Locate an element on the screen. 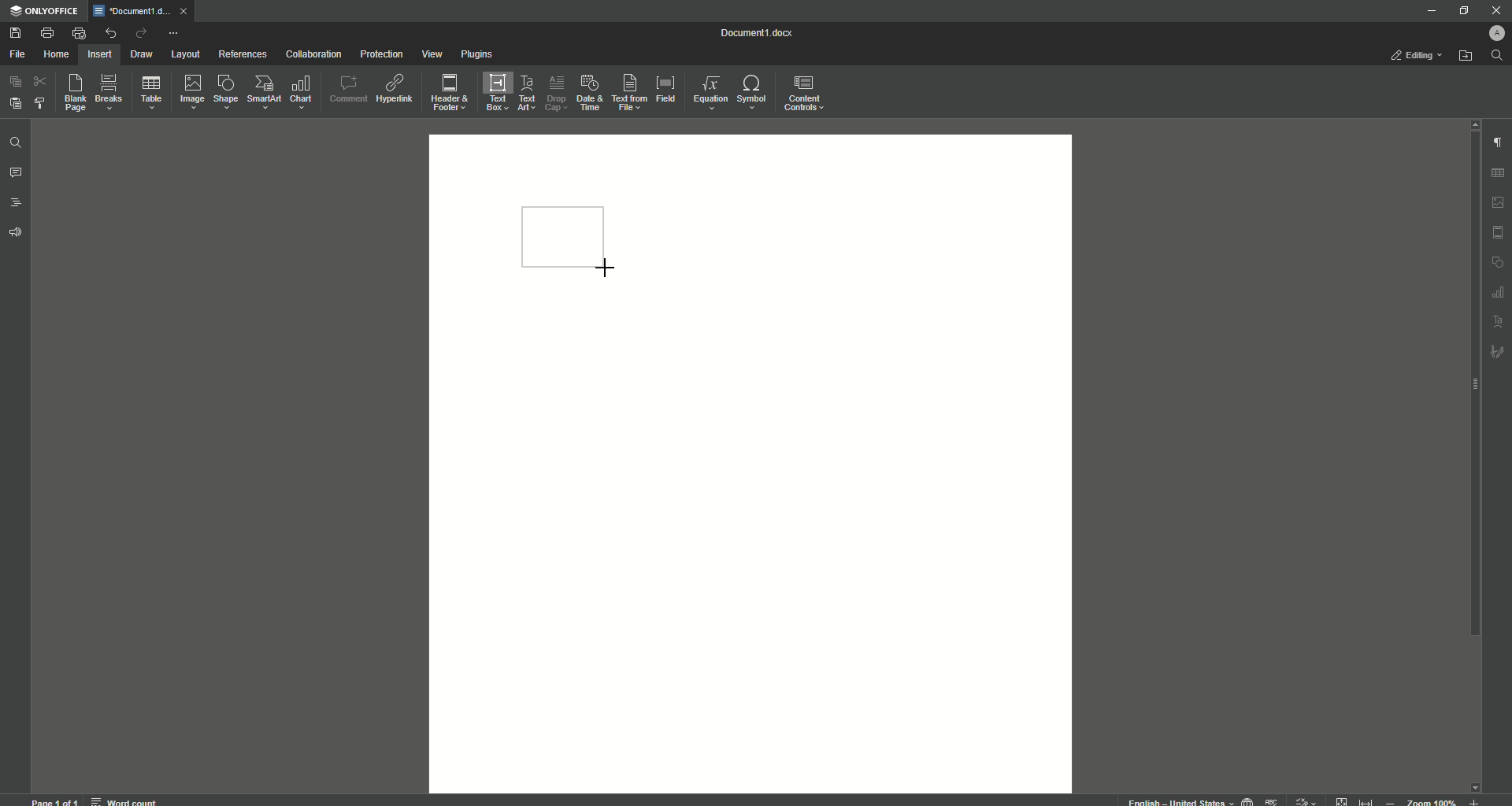 Image resolution: width=1512 pixels, height=806 pixels. Rectangle is located at coordinates (566, 235).